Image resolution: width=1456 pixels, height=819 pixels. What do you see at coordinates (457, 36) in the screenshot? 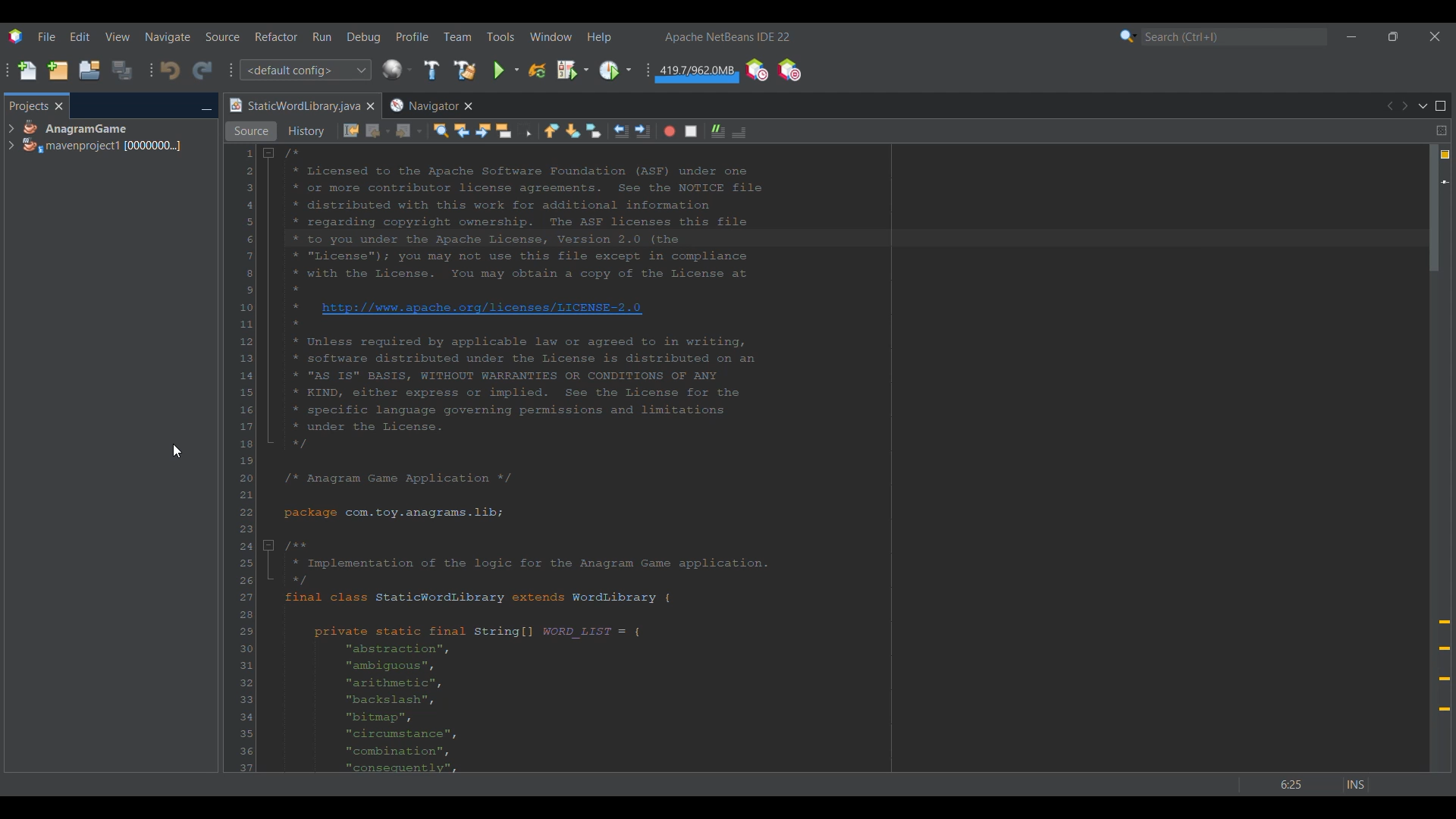
I see `Team menu` at bounding box center [457, 36].